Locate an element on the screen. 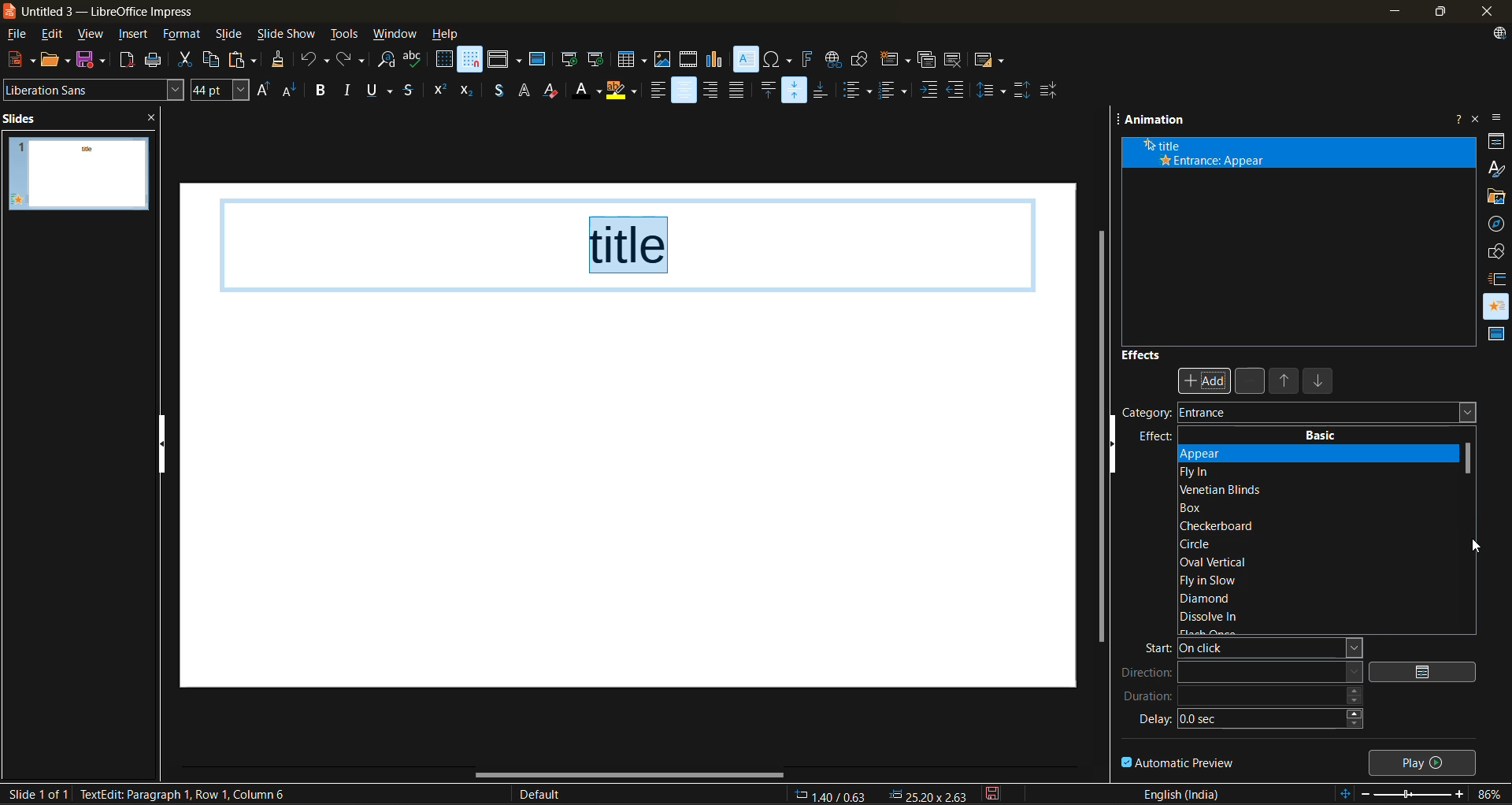 The image size is (1512, 805). font color is located at coordinates (588, 92).